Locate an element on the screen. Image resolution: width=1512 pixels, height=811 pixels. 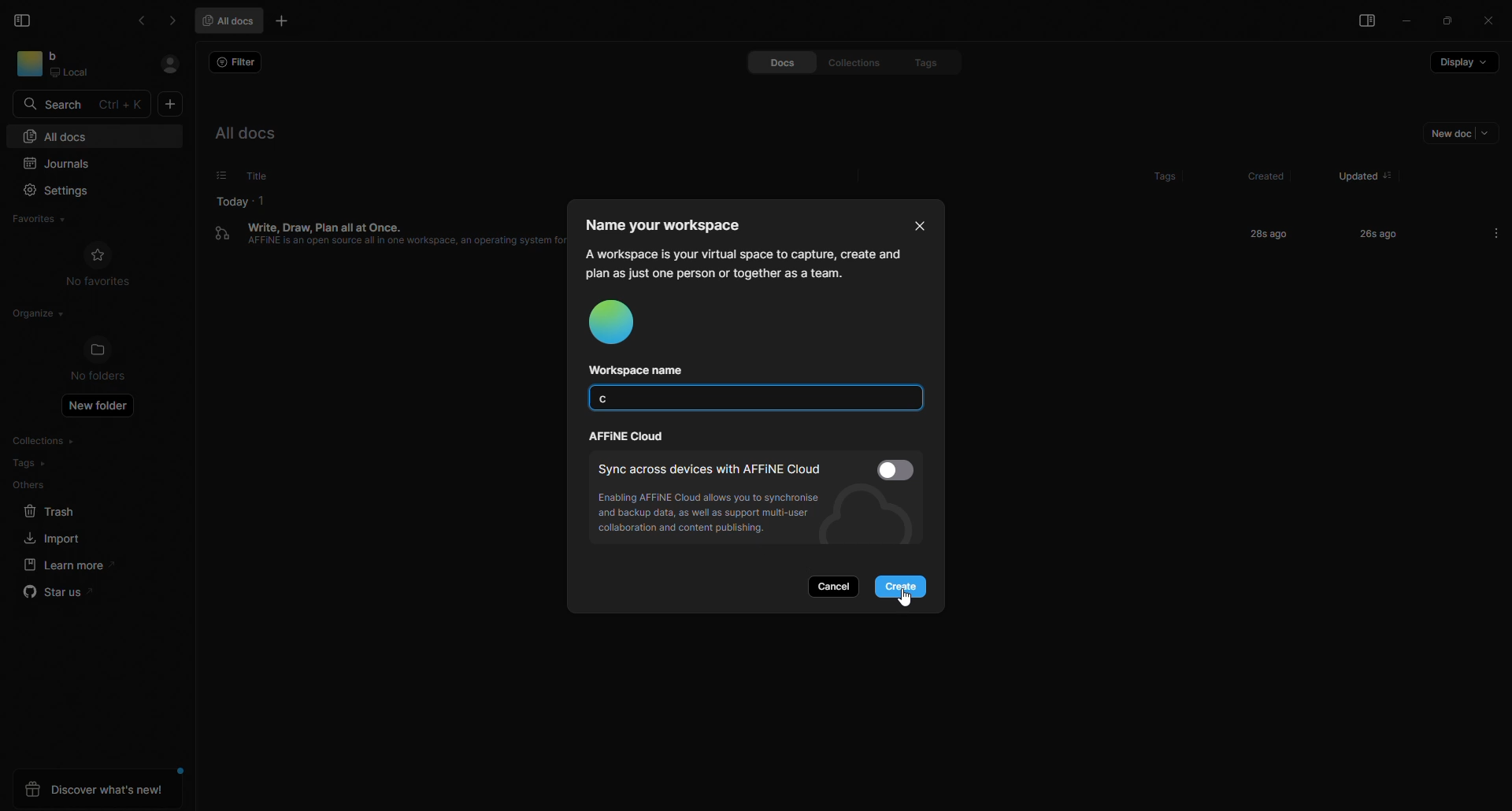
cloud is located at coordinates (629, 437).